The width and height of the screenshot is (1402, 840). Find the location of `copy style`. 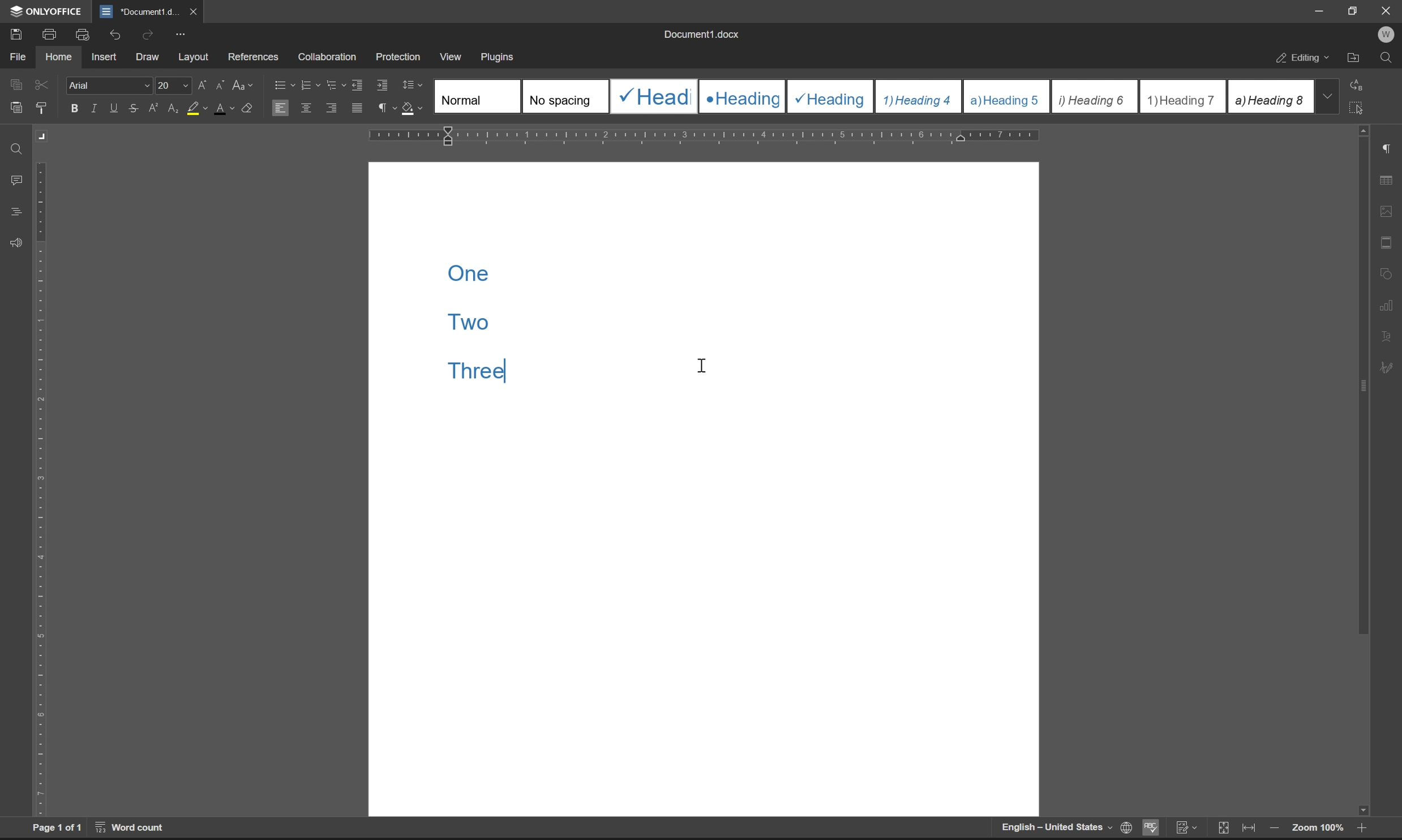

copy style is located at coordinates (41, 109).